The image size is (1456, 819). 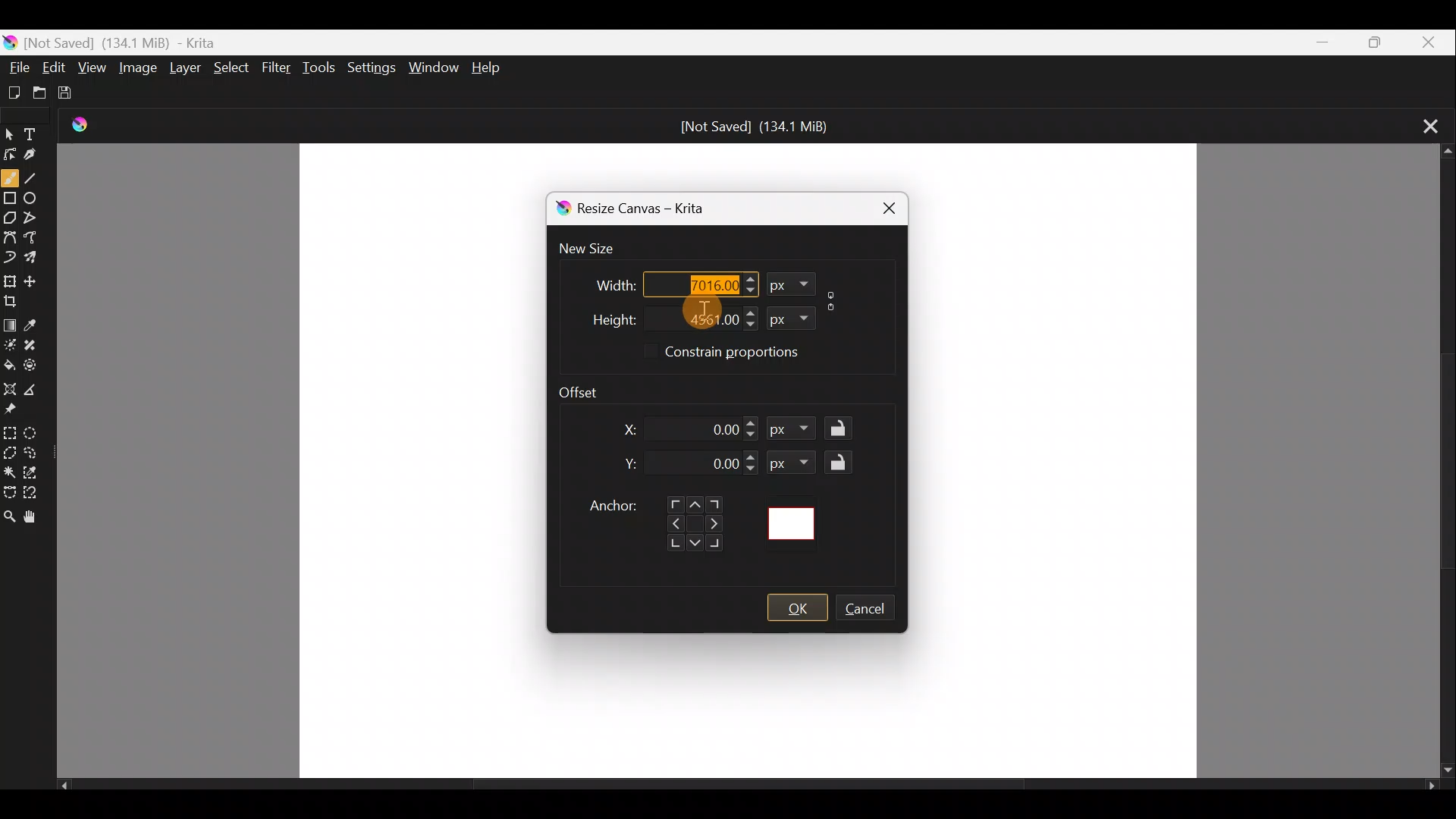 I want to click on Height, so click(x=601, y=316).